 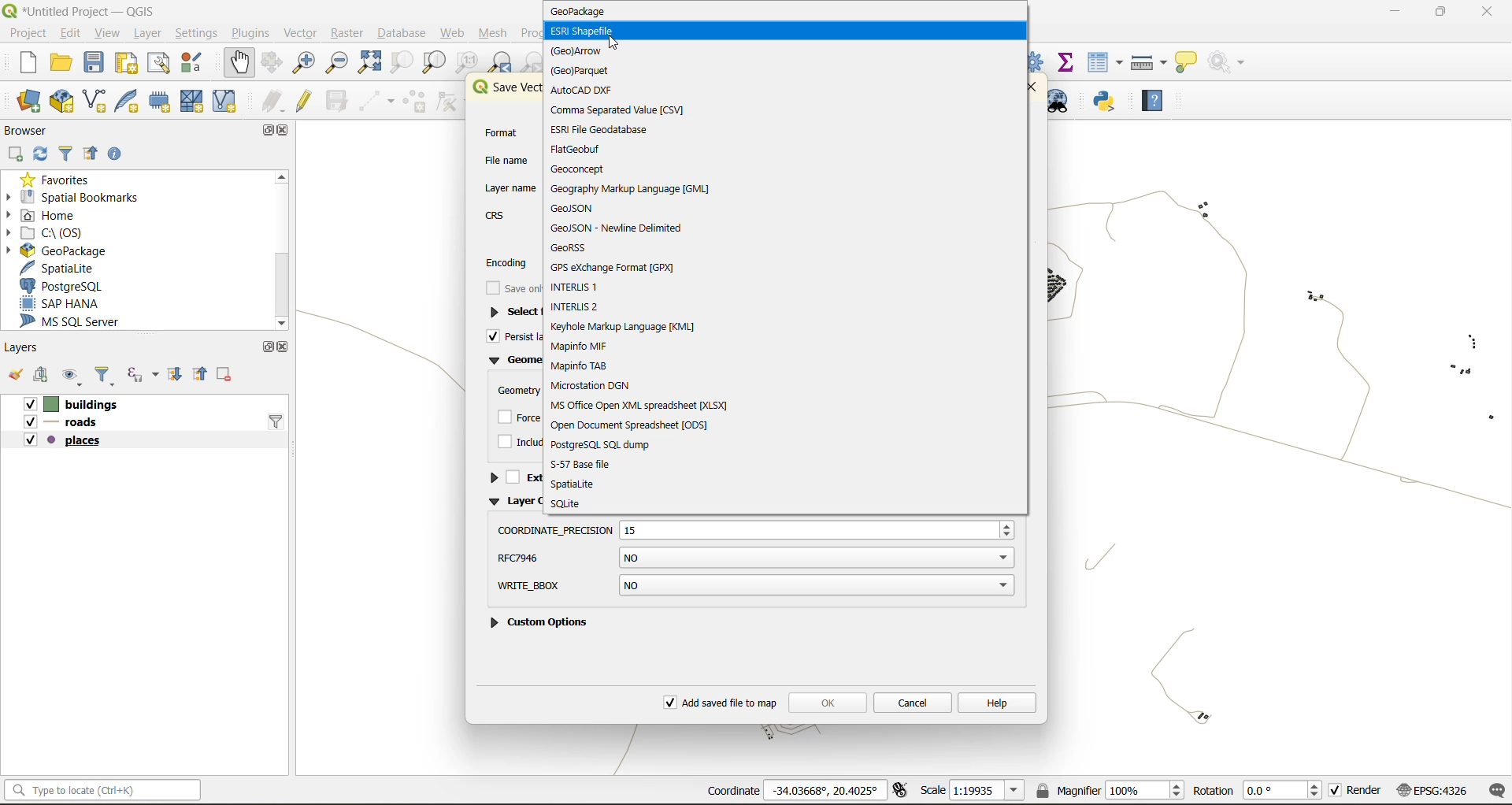 What do you see at coordinates (24, 101) in the screenshot?
I see `open datasource manager` at bounding box center [24, 101].